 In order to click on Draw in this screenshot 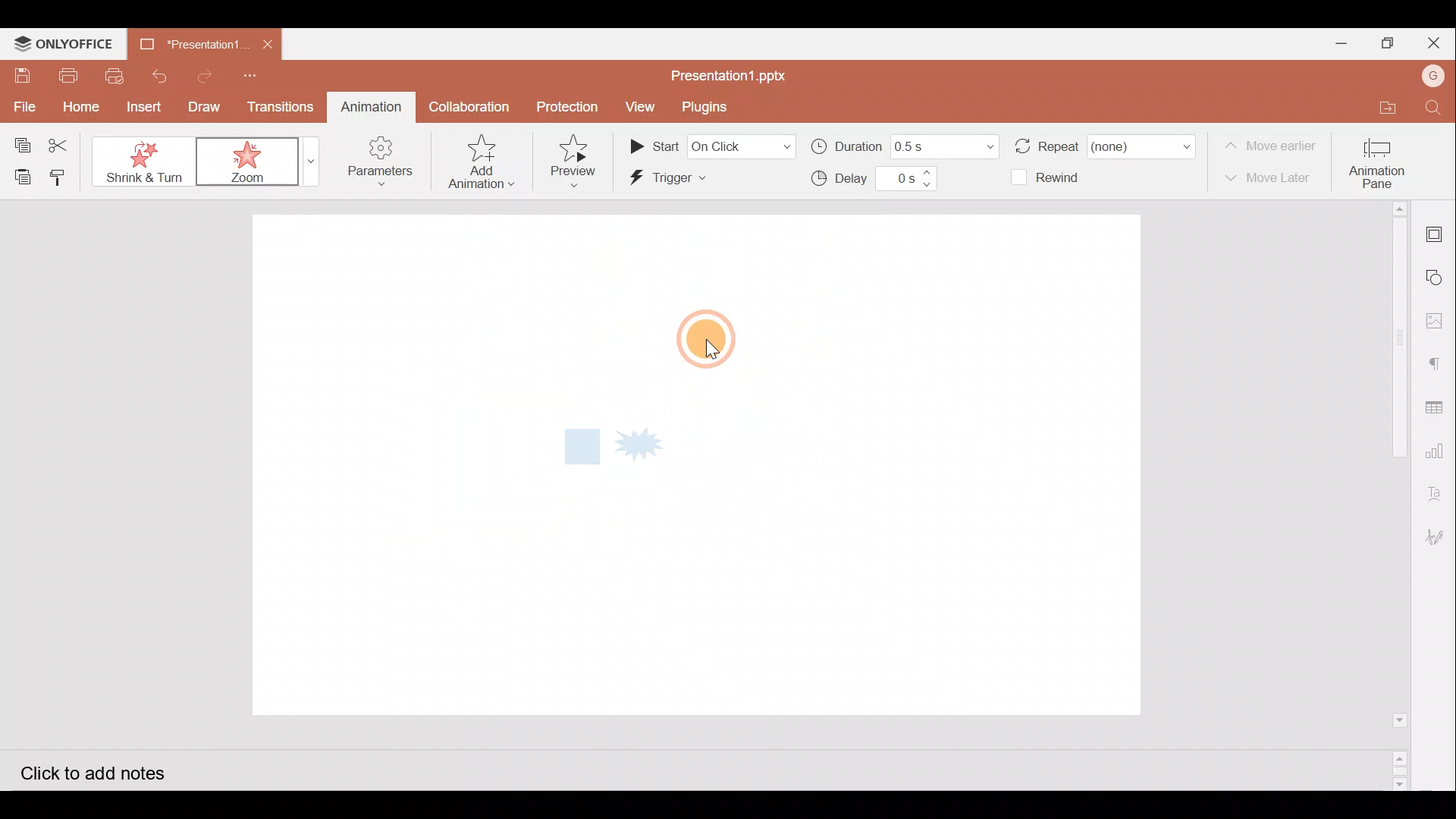, I will do `click(206, 105)`.